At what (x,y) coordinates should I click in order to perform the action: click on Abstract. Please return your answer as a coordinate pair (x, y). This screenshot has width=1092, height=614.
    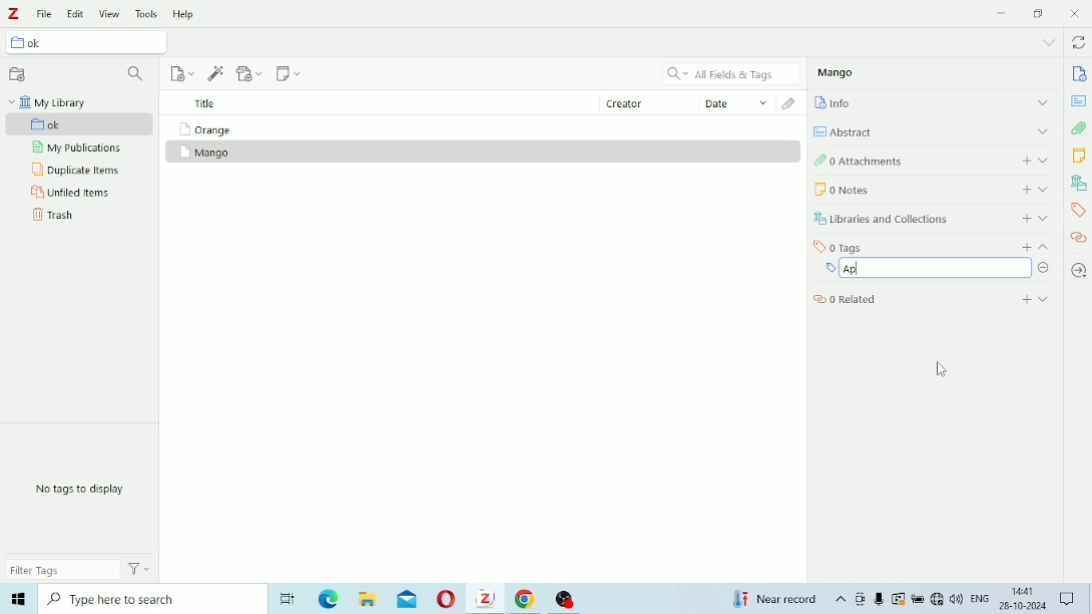
    Looking at the image, I should click on (1079, 101).